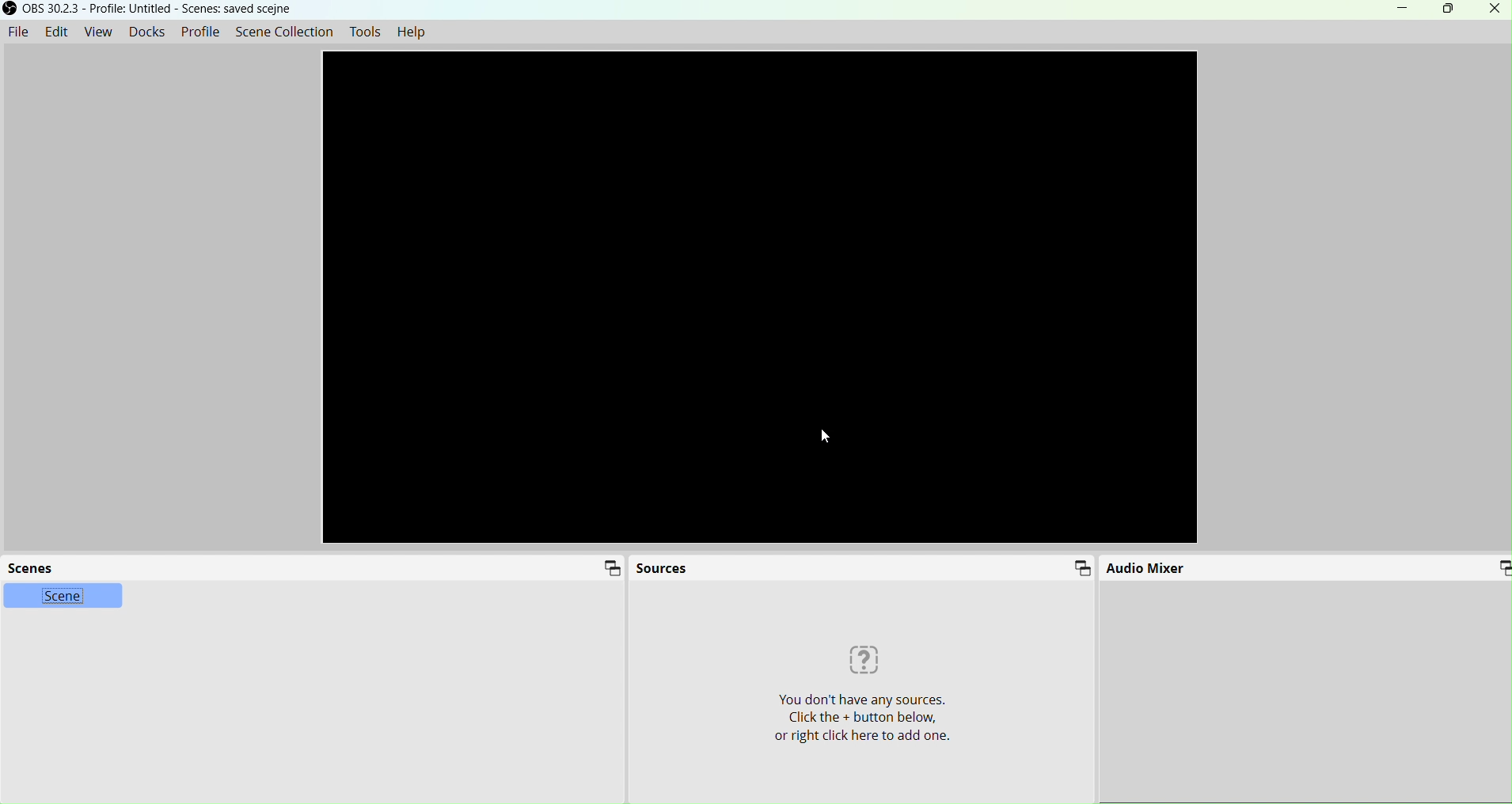 This screenshot has height=804, width=1512. What do you see at coordinates (368, 32) in the screenshot?
I see `Tools` at bounding box center [368, 32].